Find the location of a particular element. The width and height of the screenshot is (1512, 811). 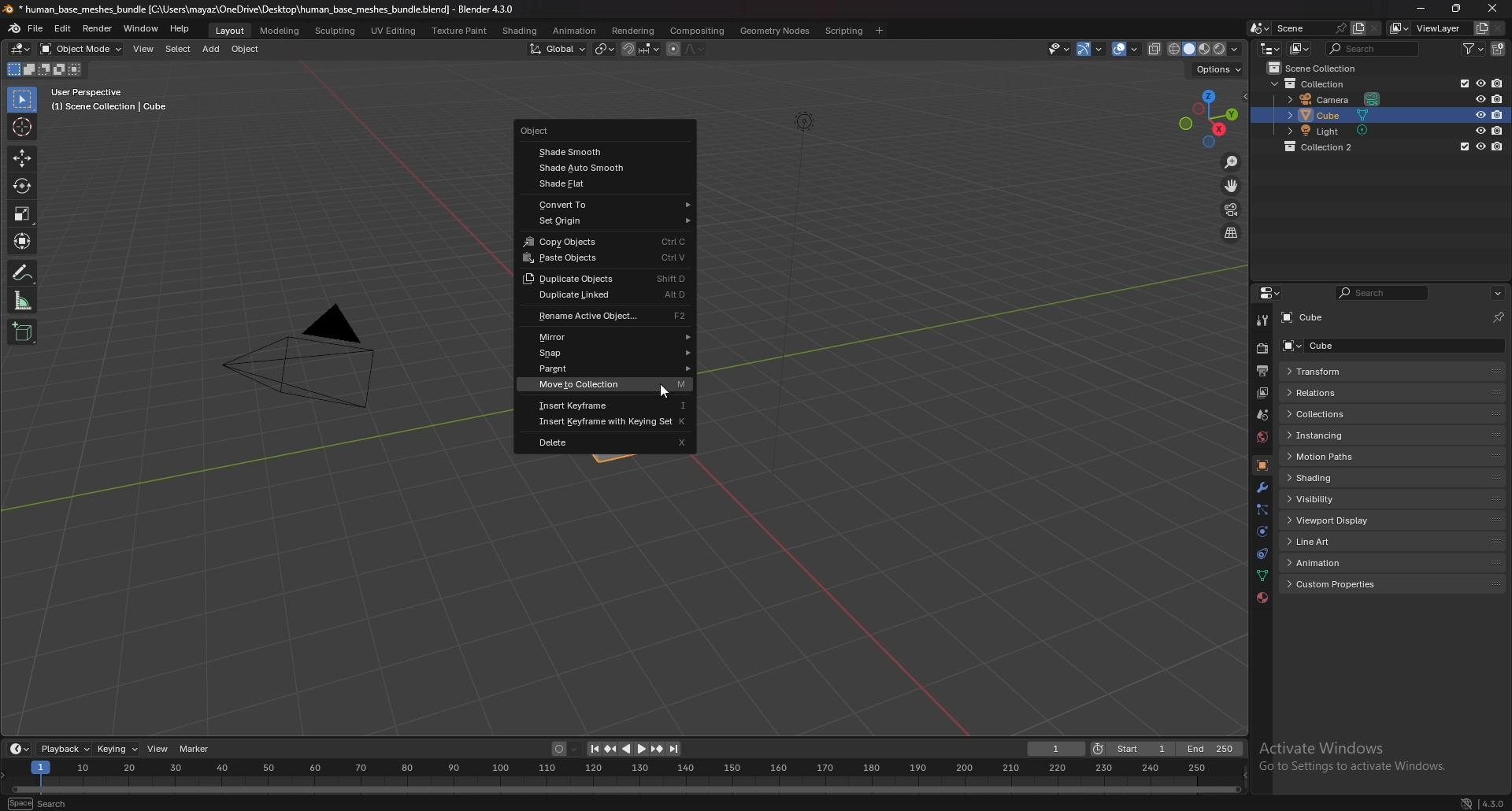

view is located at coordinates (159, 748).